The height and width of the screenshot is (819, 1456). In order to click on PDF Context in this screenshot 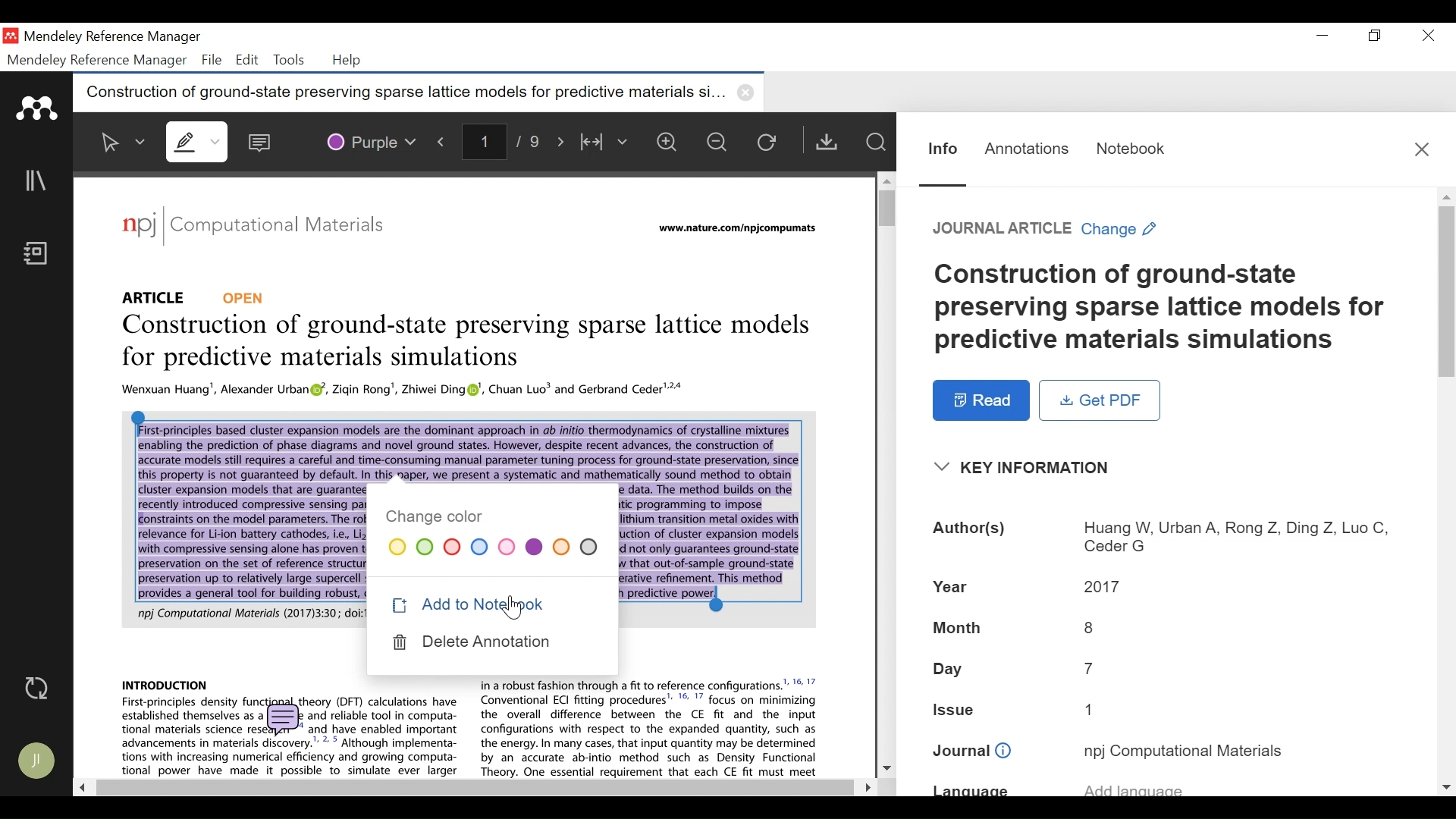, I will do `click(165, 683)`.